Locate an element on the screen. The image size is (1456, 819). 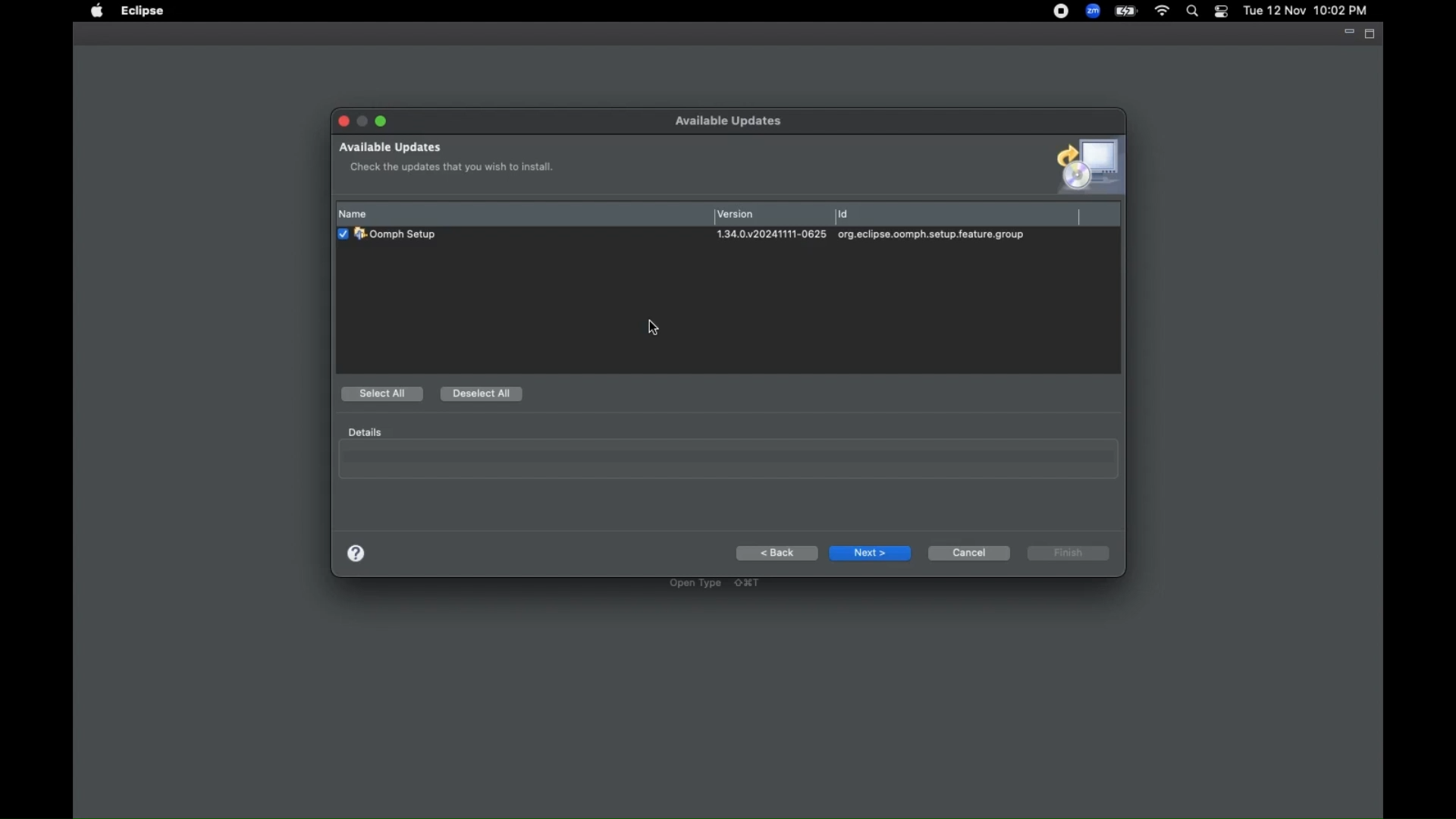
Check the updates you wish to Install is located at coordinates (453, 165).